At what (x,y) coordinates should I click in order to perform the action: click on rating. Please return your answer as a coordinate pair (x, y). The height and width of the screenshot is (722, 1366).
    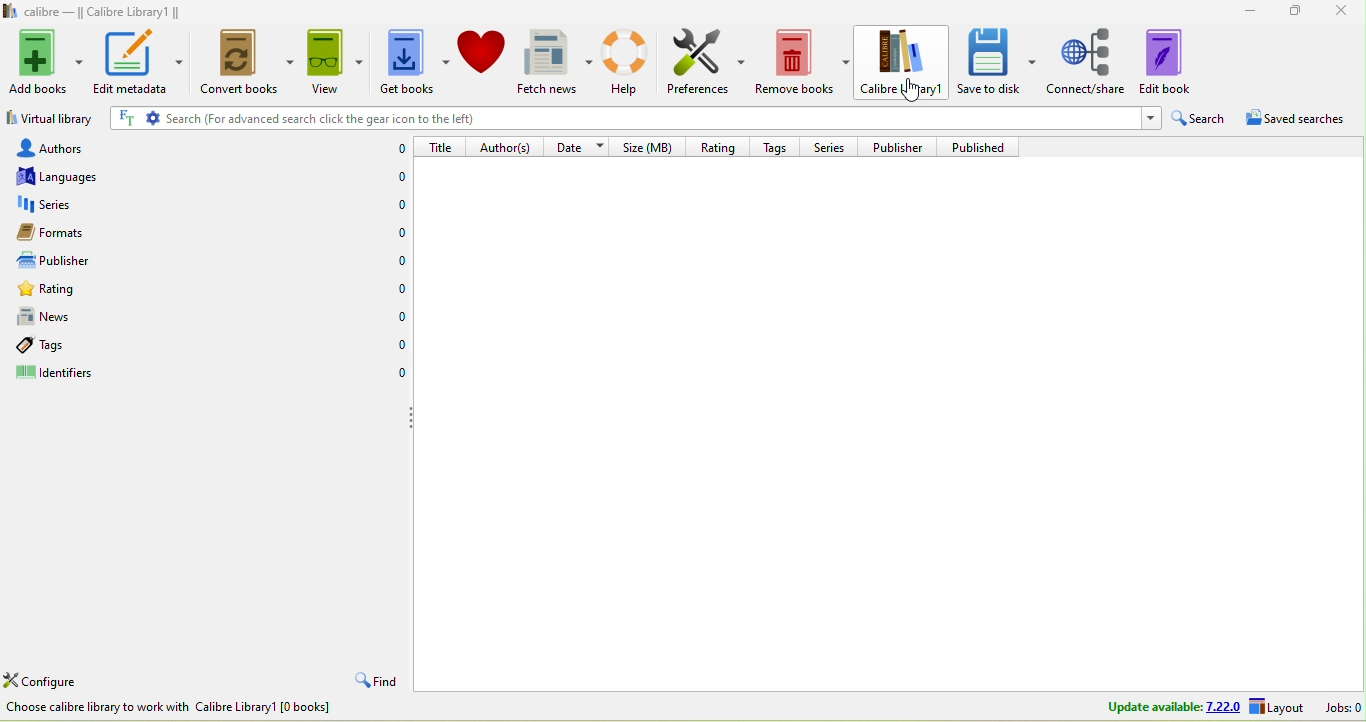
    Looking at the image, I should click on (716, 145).